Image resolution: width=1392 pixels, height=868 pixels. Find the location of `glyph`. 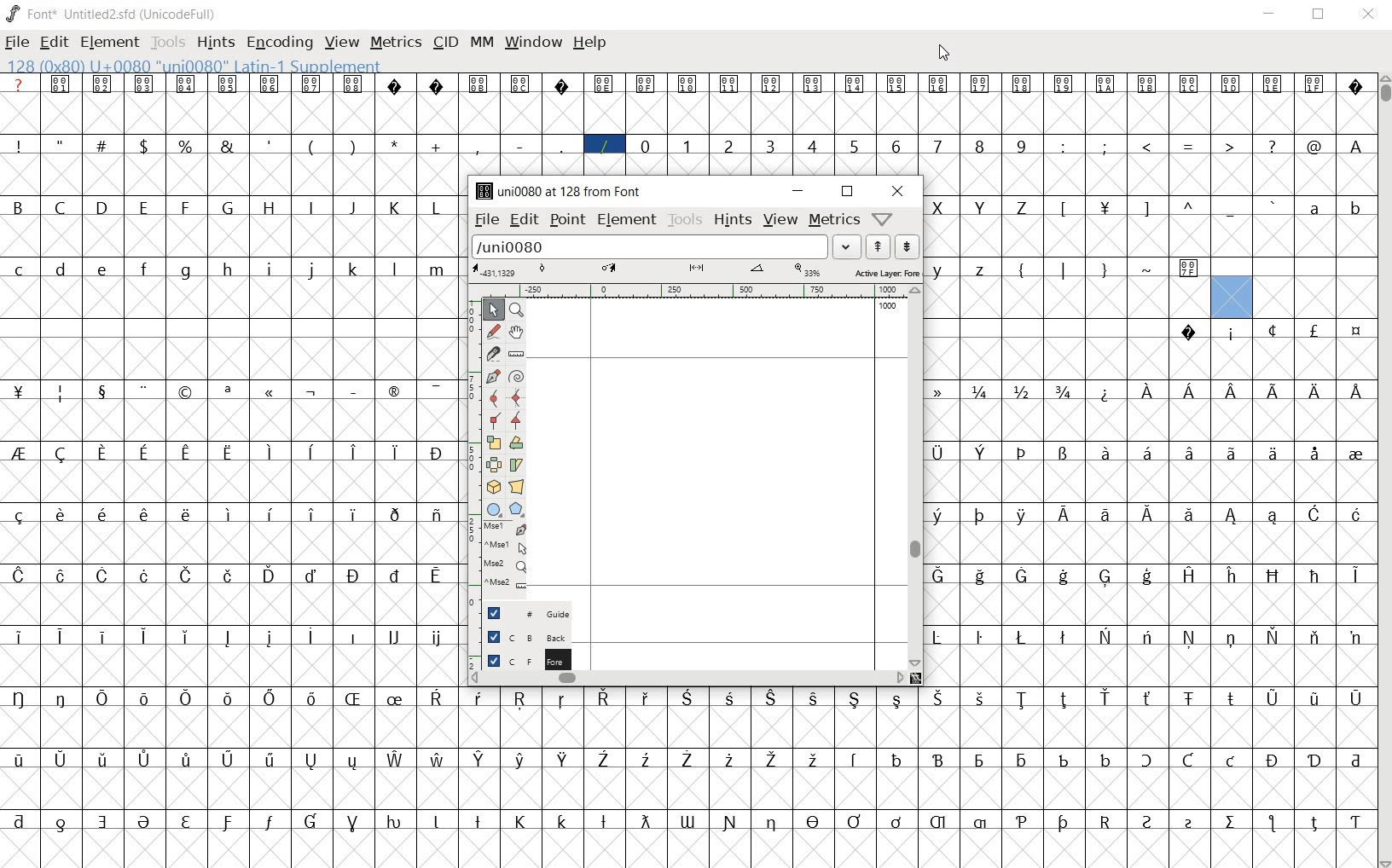

glyph is located at coordinates (186, 393).